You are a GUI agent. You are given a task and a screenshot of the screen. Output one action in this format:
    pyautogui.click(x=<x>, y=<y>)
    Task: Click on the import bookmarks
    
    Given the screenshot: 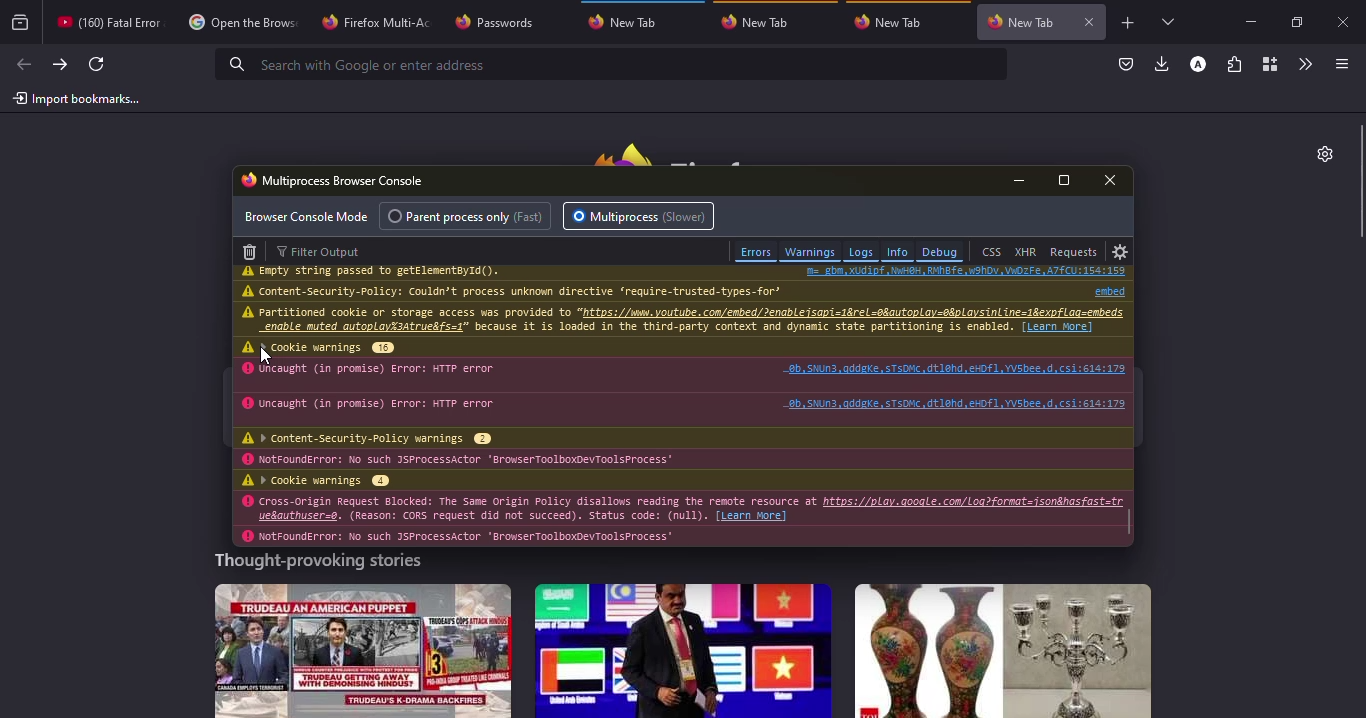 What is the action you would take?
    pyautogui.click(x=77, y=99)
    